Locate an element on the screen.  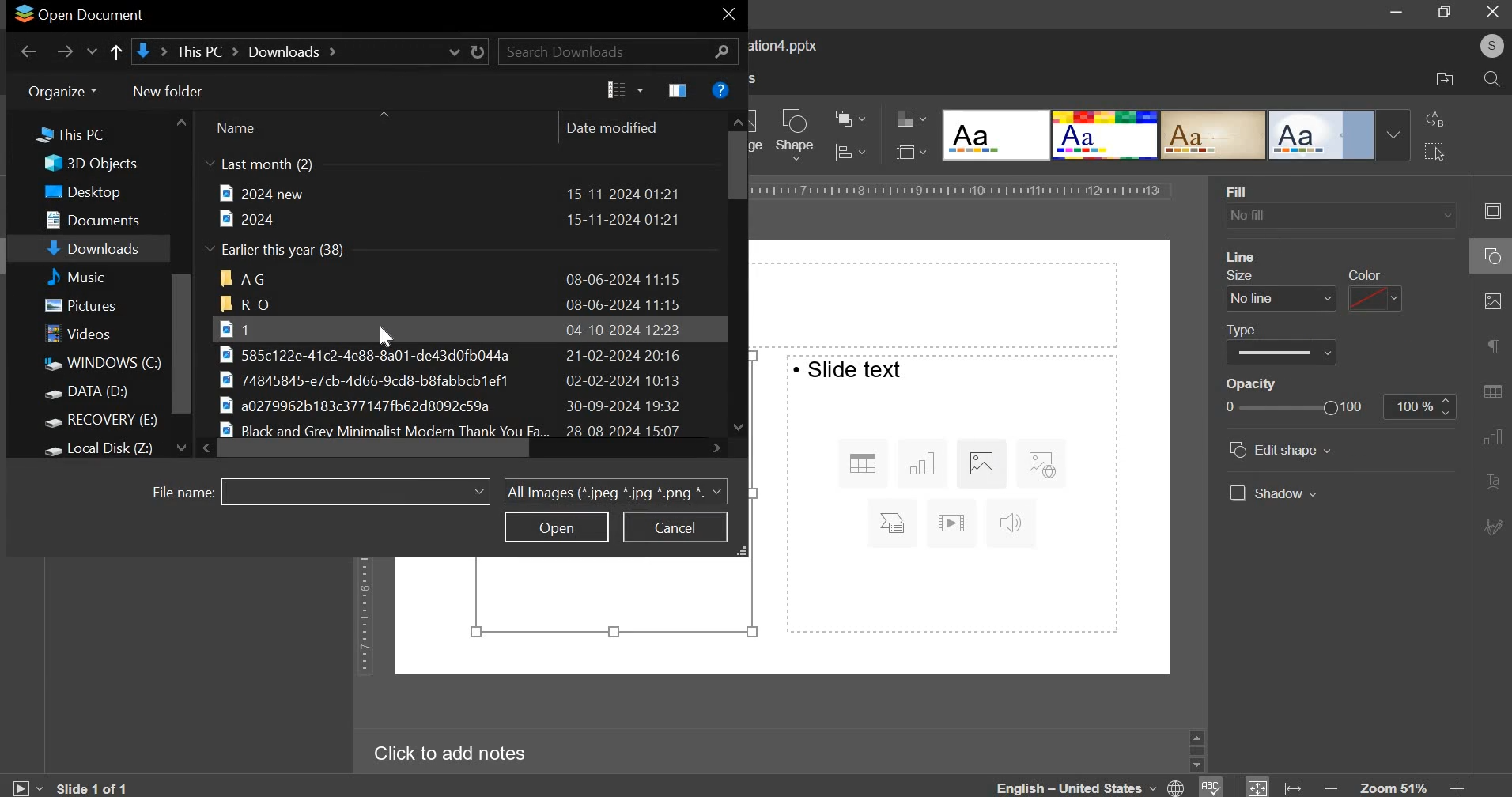
edit shape is located at coordinates (1282, 450).